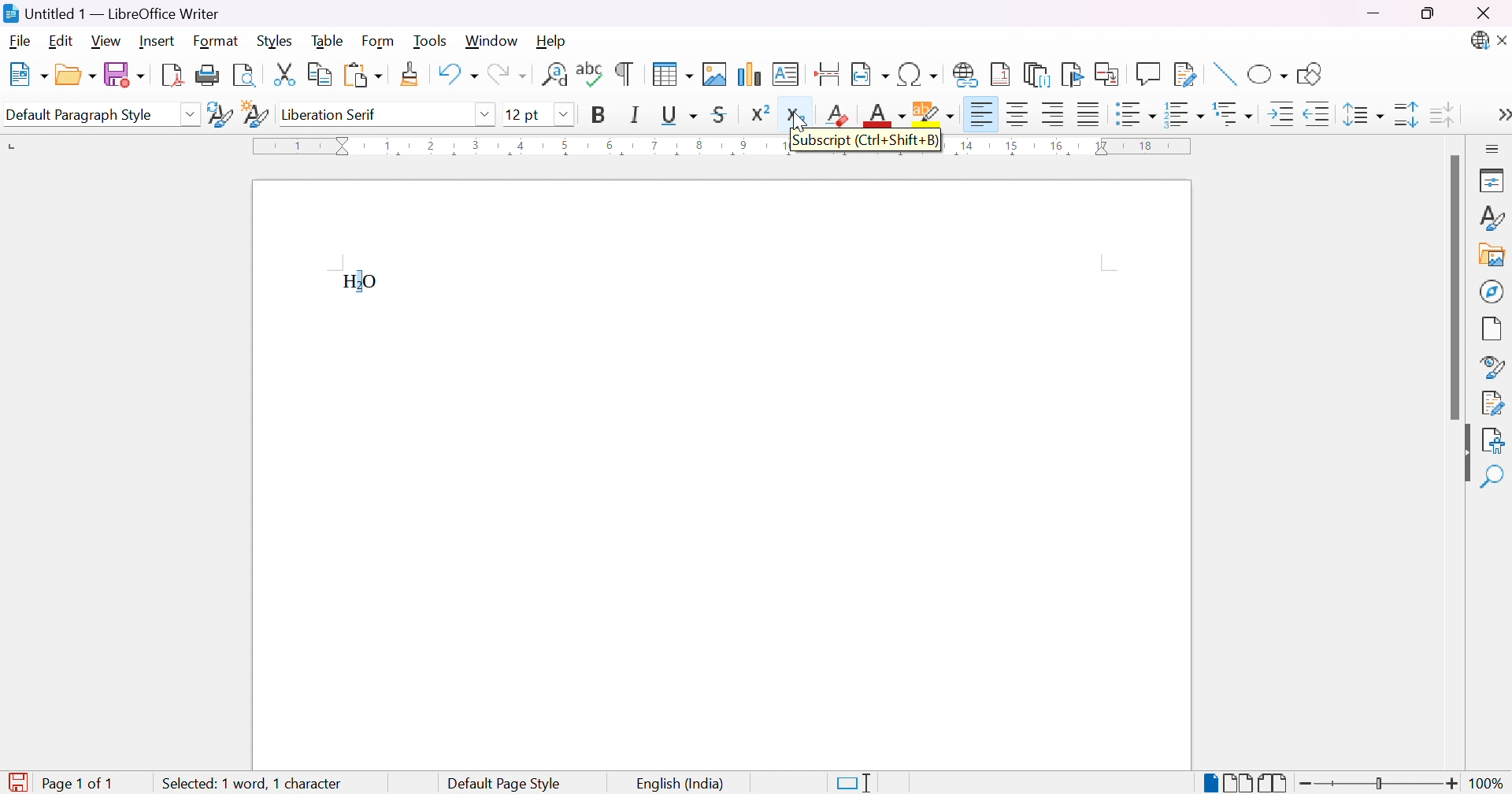  What do you see at coordinates (1284, 117) in the screenshot?
I see `Increase indent ` at bounding box center [1284, 117].